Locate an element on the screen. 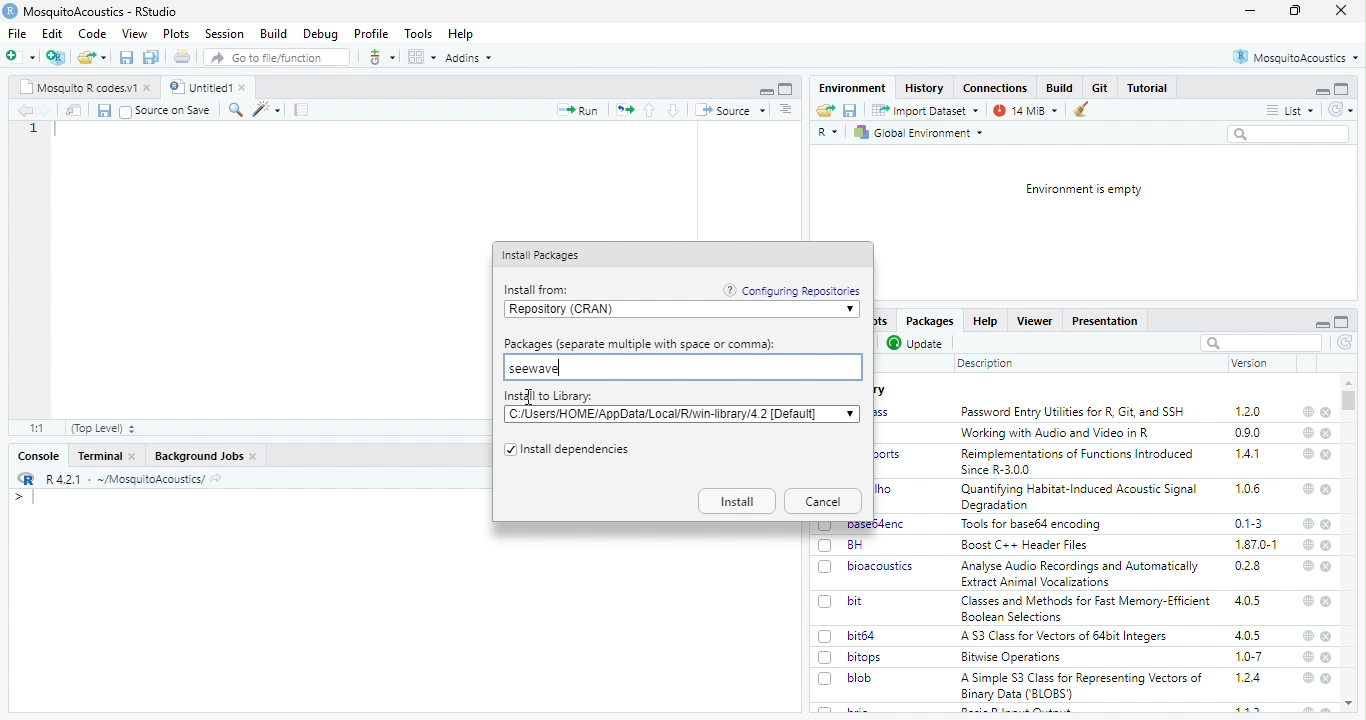 The image size is (1366, 720). Password Entry Utilities for R, Git, and SSH. is located at coordinates (1075, 411).